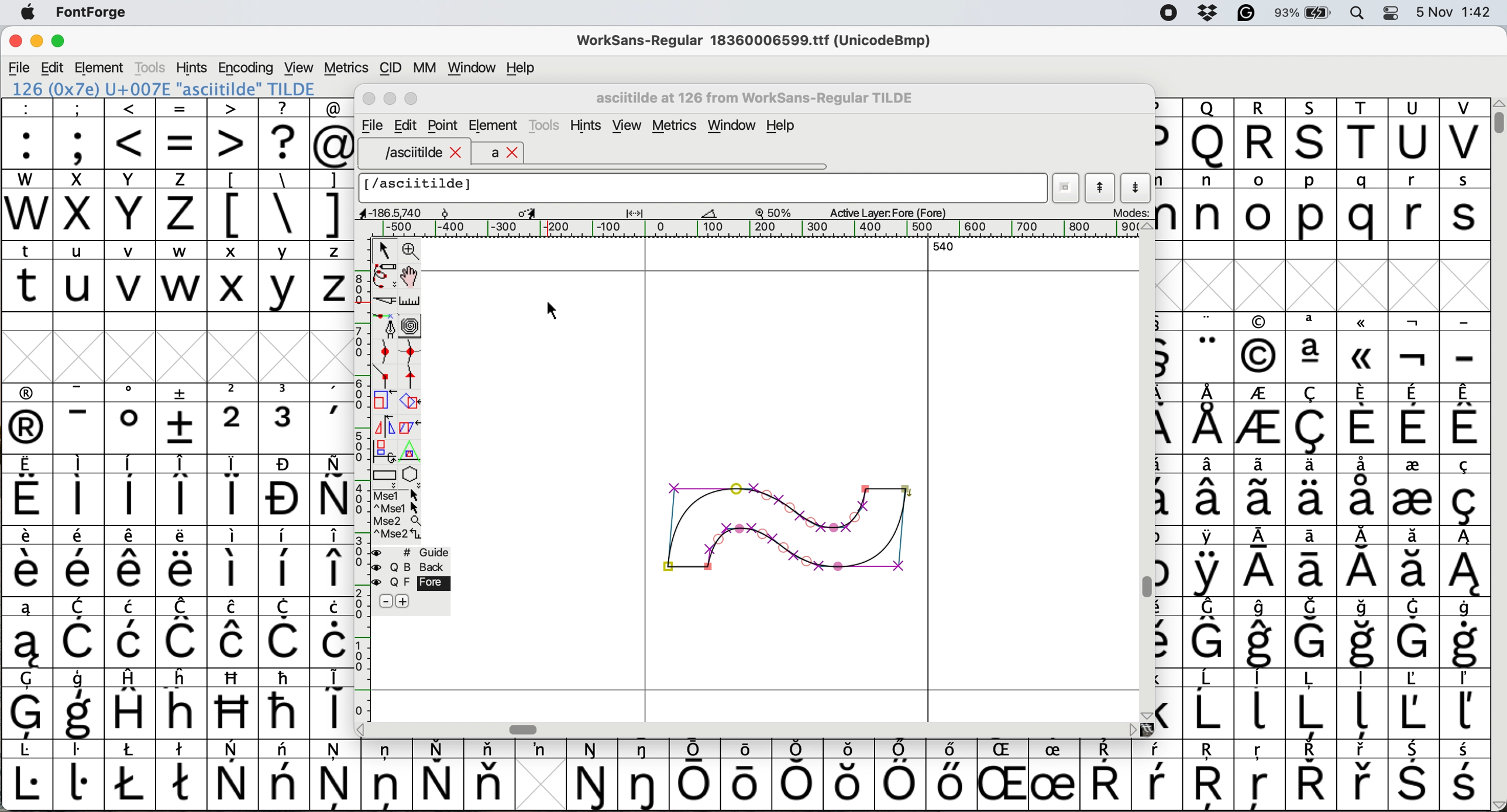 Image resolution: width=1507 pixels, height=812 pixels. I want to click on v, so click(130, 278).